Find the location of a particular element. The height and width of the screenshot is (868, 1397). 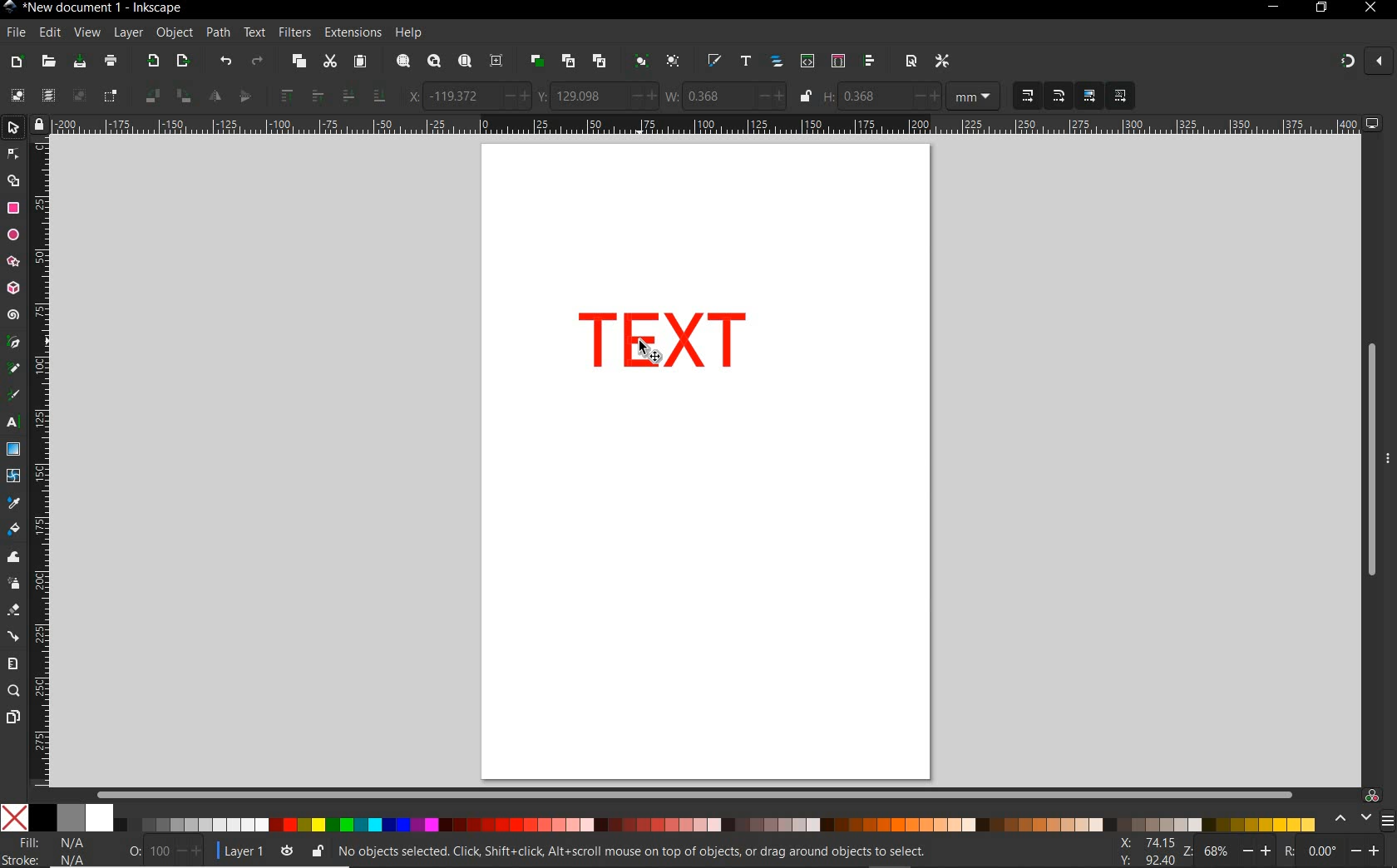

OPEN PREFERENCES is located at coordinates (944, 61).